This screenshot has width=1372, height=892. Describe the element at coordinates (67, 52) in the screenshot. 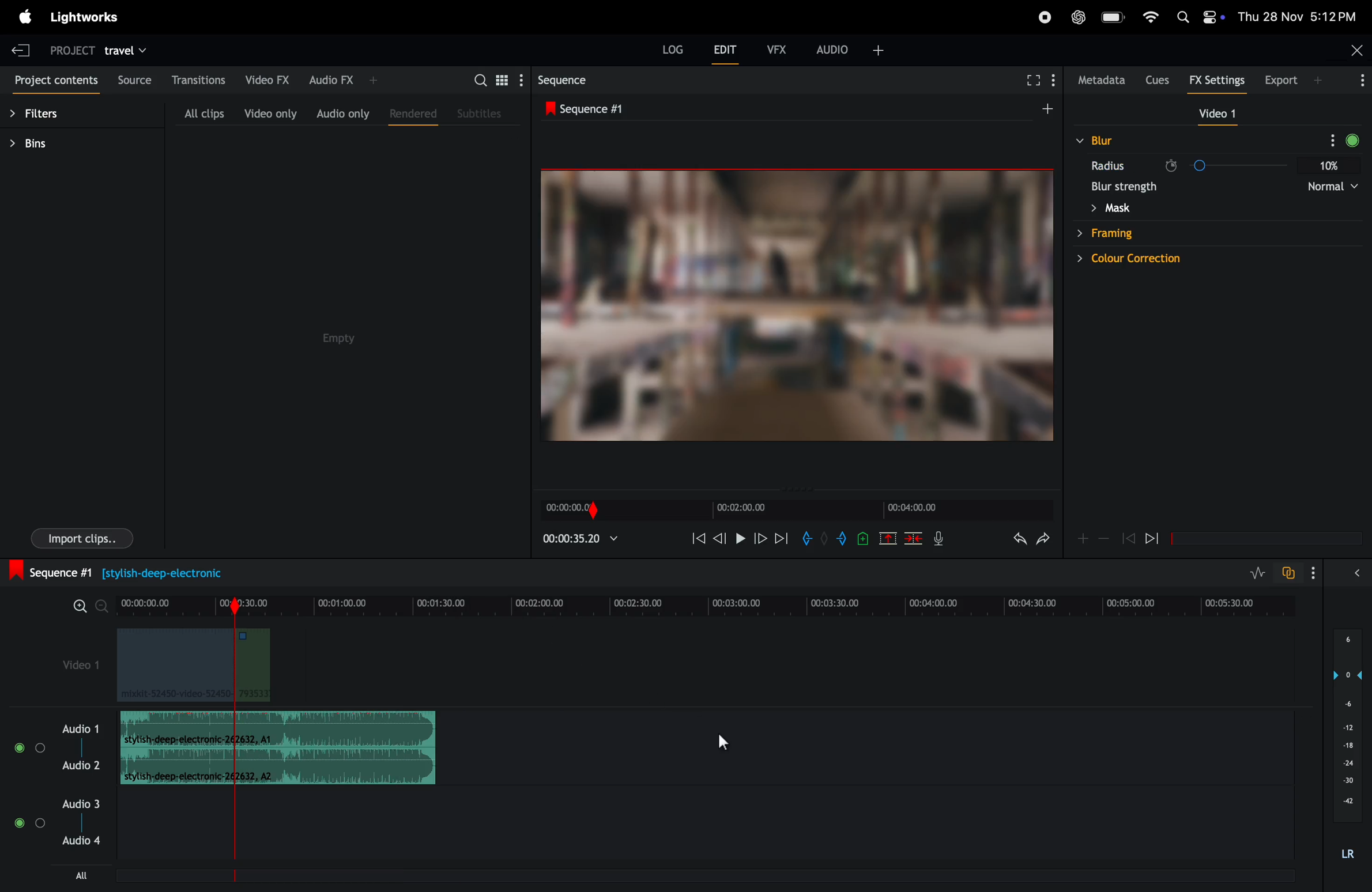

I see `project` at that location.